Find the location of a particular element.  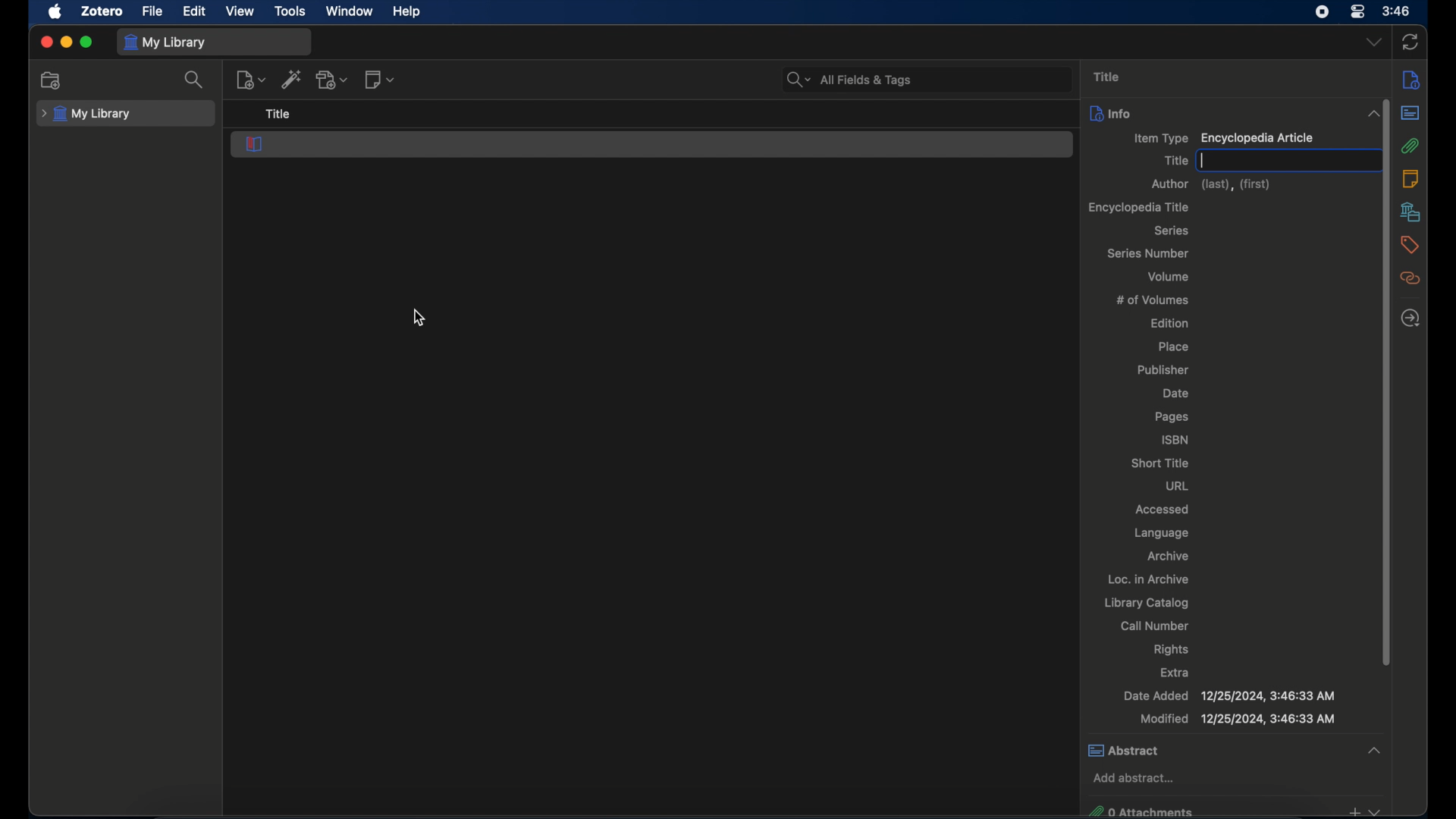

place is located at coordinates (1175, 347).